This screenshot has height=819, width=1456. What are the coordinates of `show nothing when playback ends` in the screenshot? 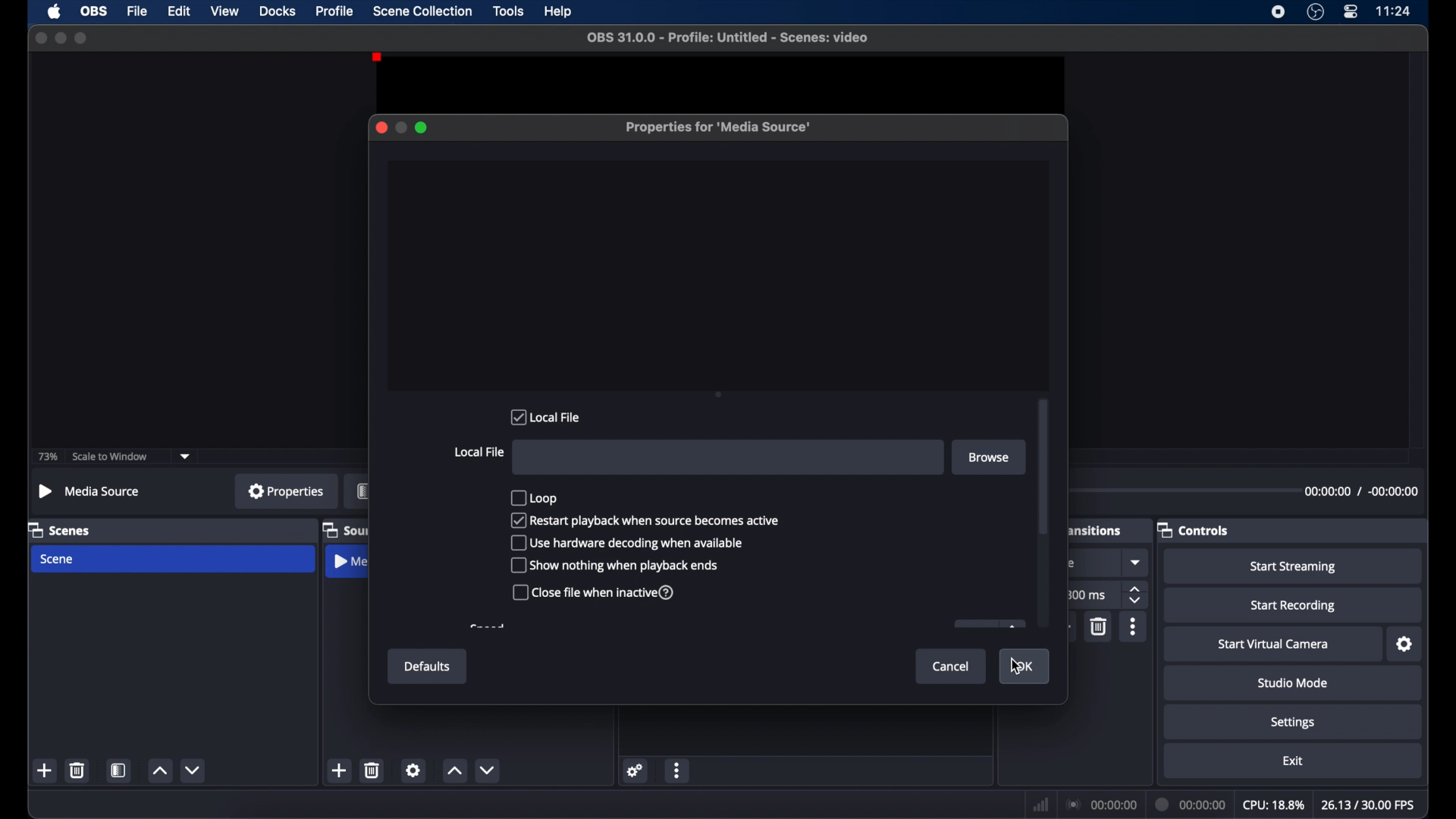 It's located at (615, 566).